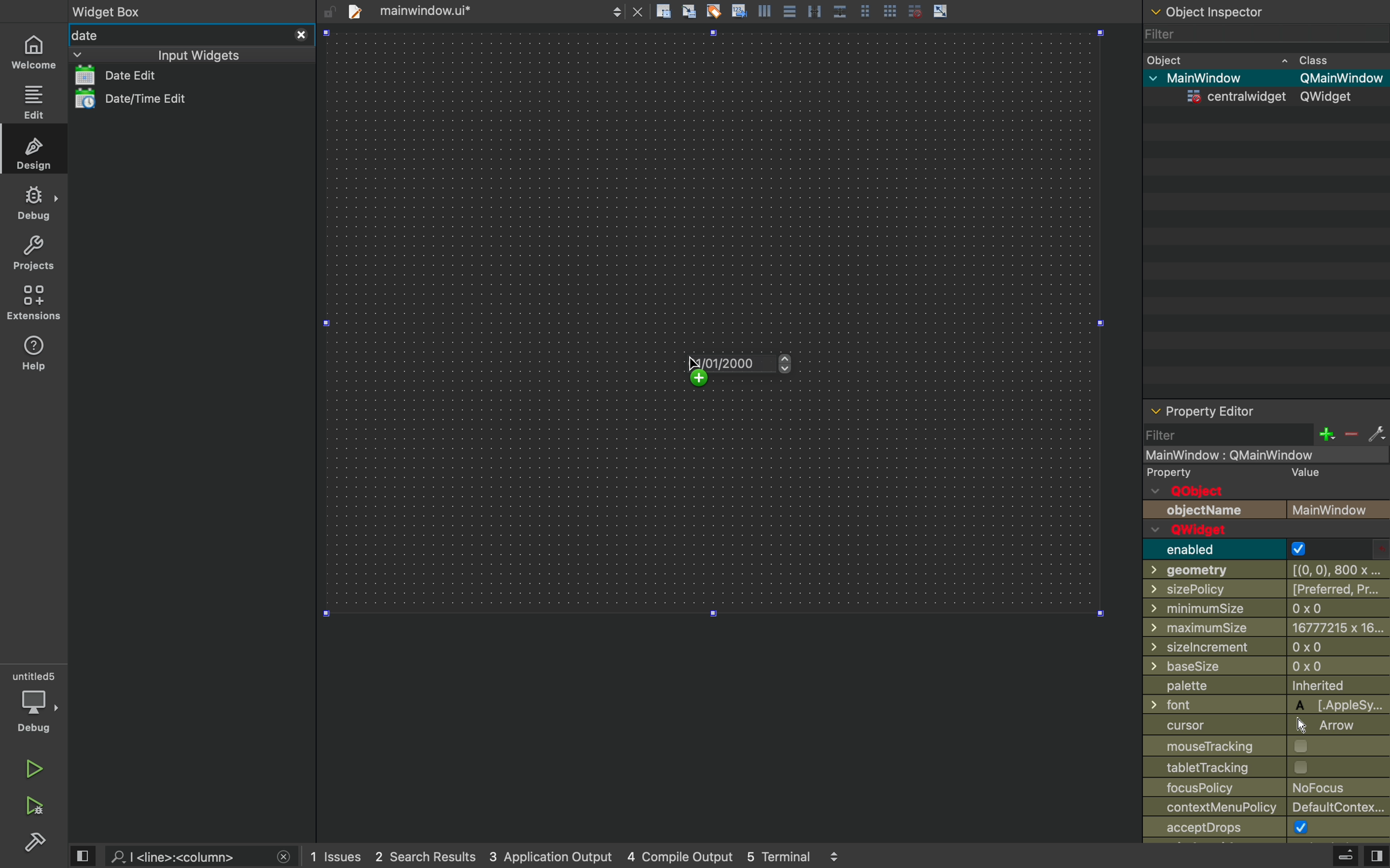  I want to click on grid view large, so click(890, 10).